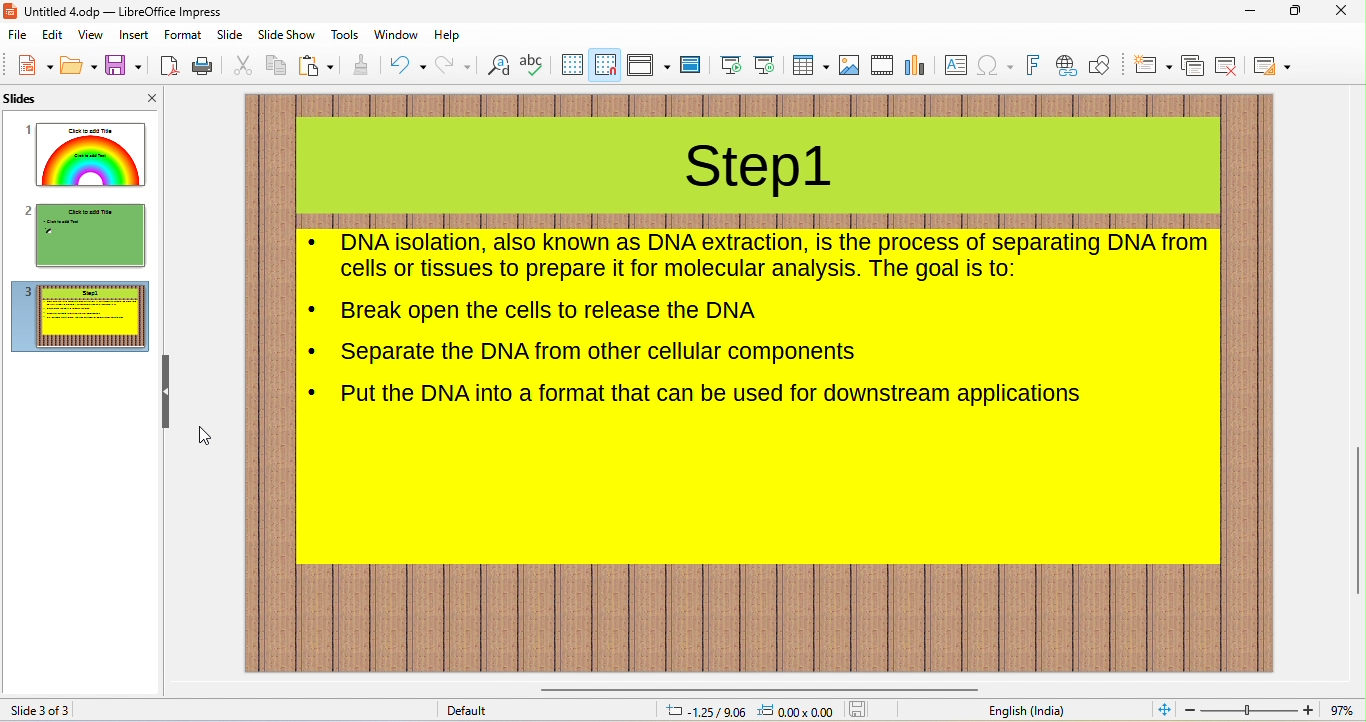 Image resolution: width=1366 pixels, height=722 pixels. I want to click on find and replace, so click(498, 66).